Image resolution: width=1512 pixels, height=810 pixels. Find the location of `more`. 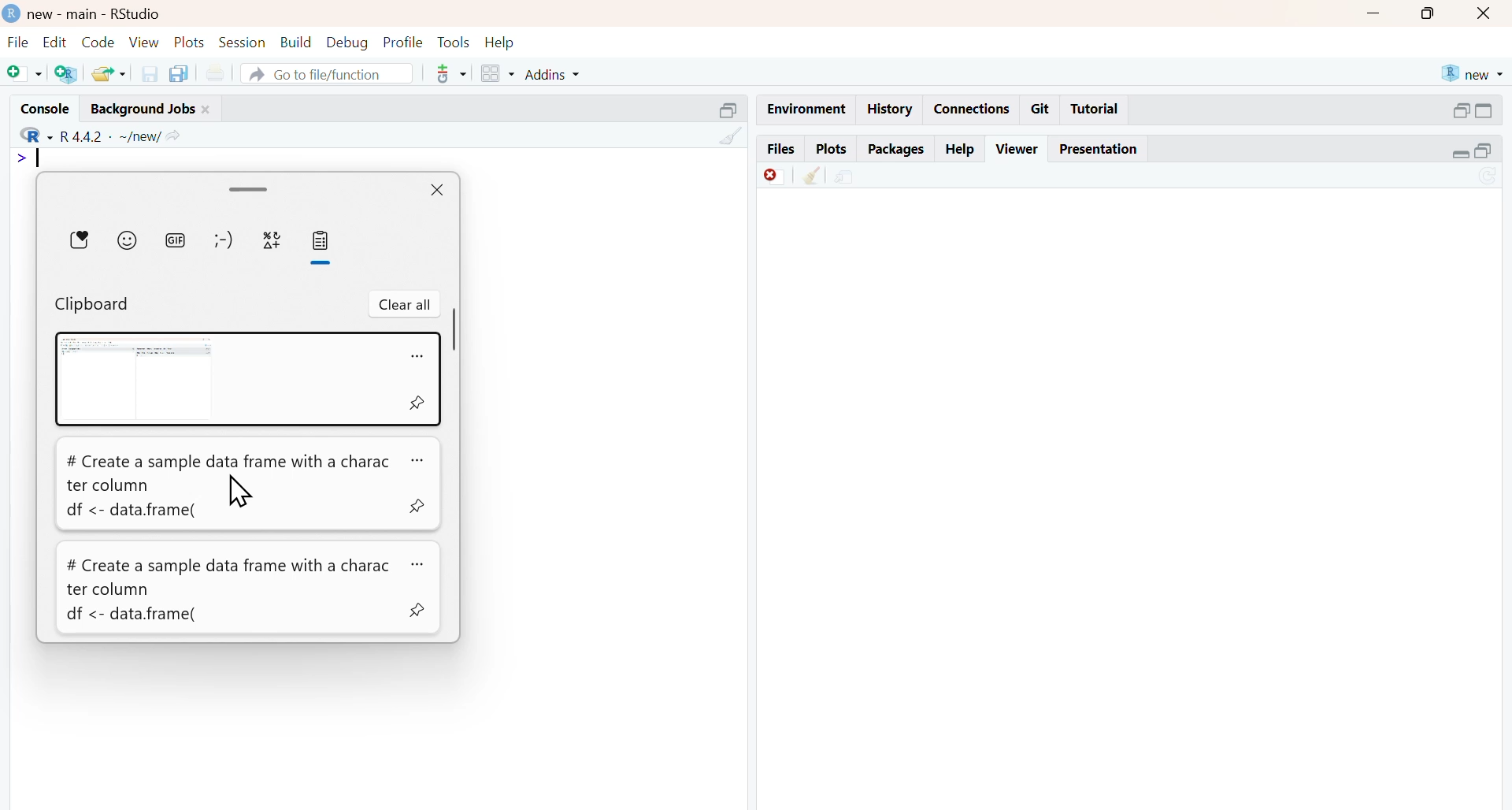

more is located at coordinates (417, 356).